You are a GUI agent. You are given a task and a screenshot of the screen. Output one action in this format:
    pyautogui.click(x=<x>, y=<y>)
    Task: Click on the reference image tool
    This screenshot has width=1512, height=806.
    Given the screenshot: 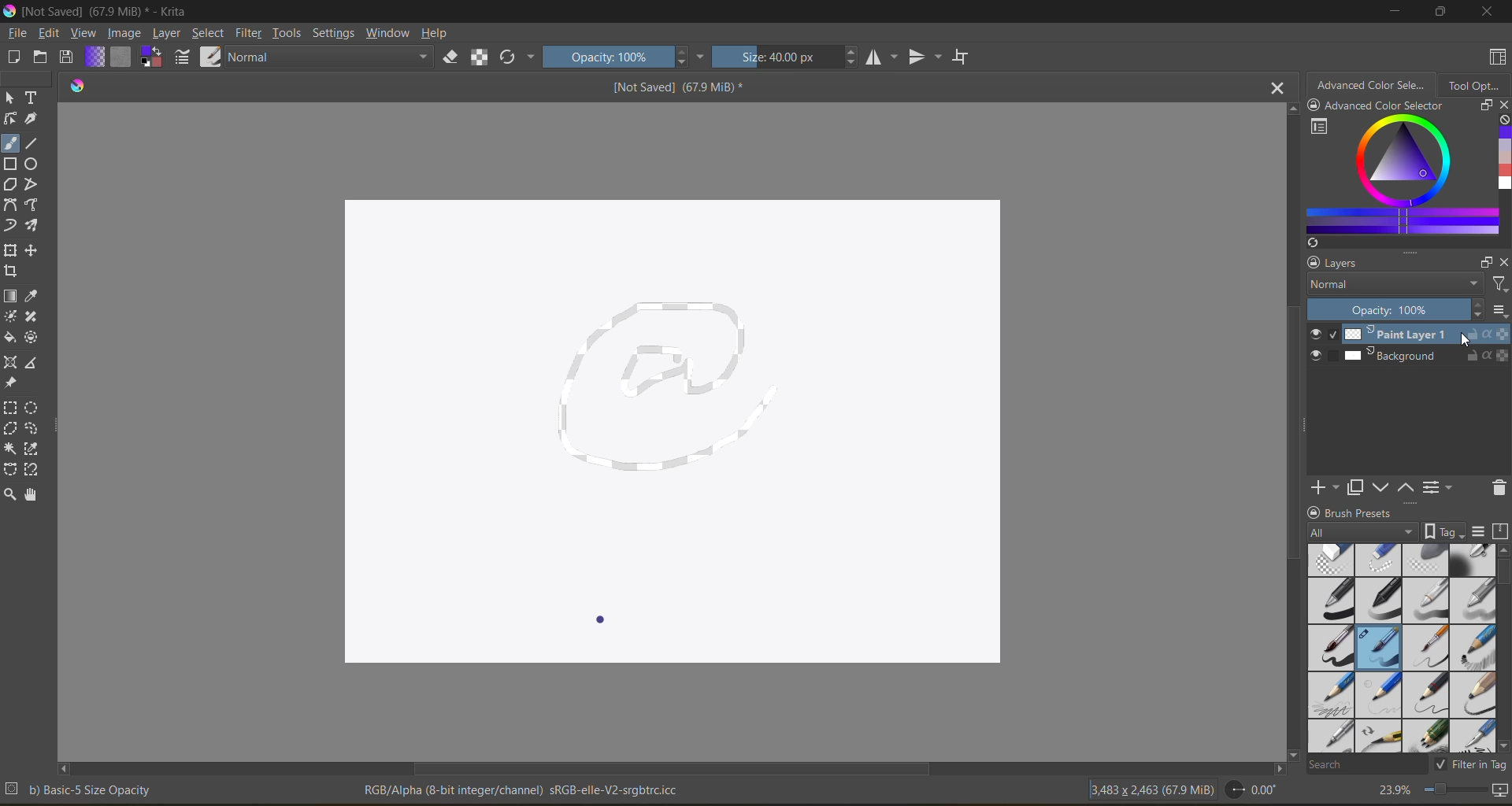 What is the action you would take?
    pyautogui.click(x=10, y=383)
    